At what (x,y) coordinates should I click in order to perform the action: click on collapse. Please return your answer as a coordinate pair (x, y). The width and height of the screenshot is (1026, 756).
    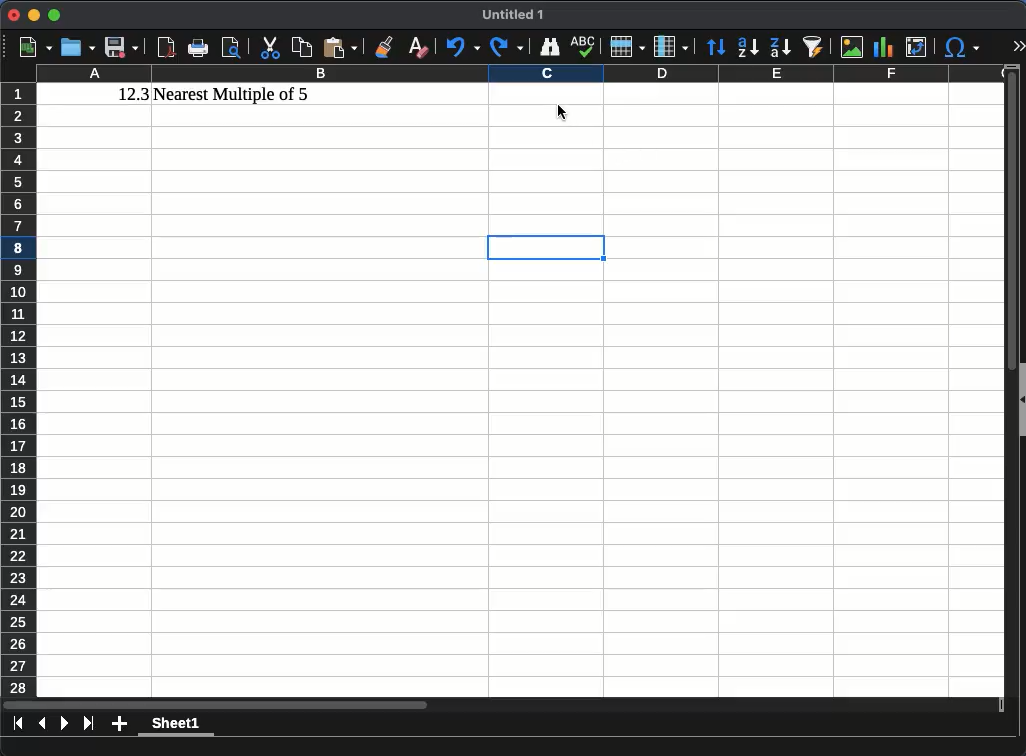
    Looking at the image, I should click on (1020, 400).